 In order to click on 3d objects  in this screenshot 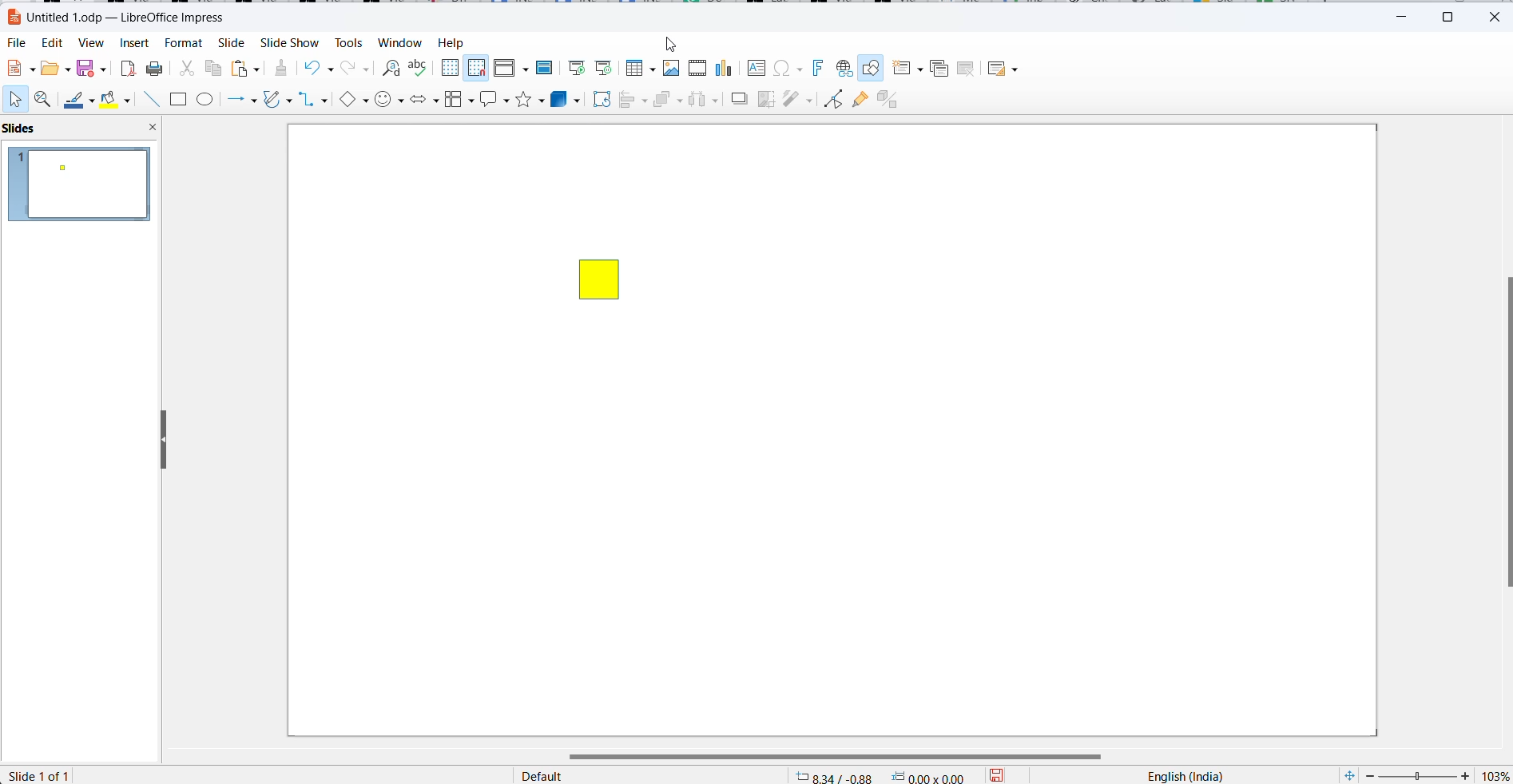, I will do `click(566, 100)`.